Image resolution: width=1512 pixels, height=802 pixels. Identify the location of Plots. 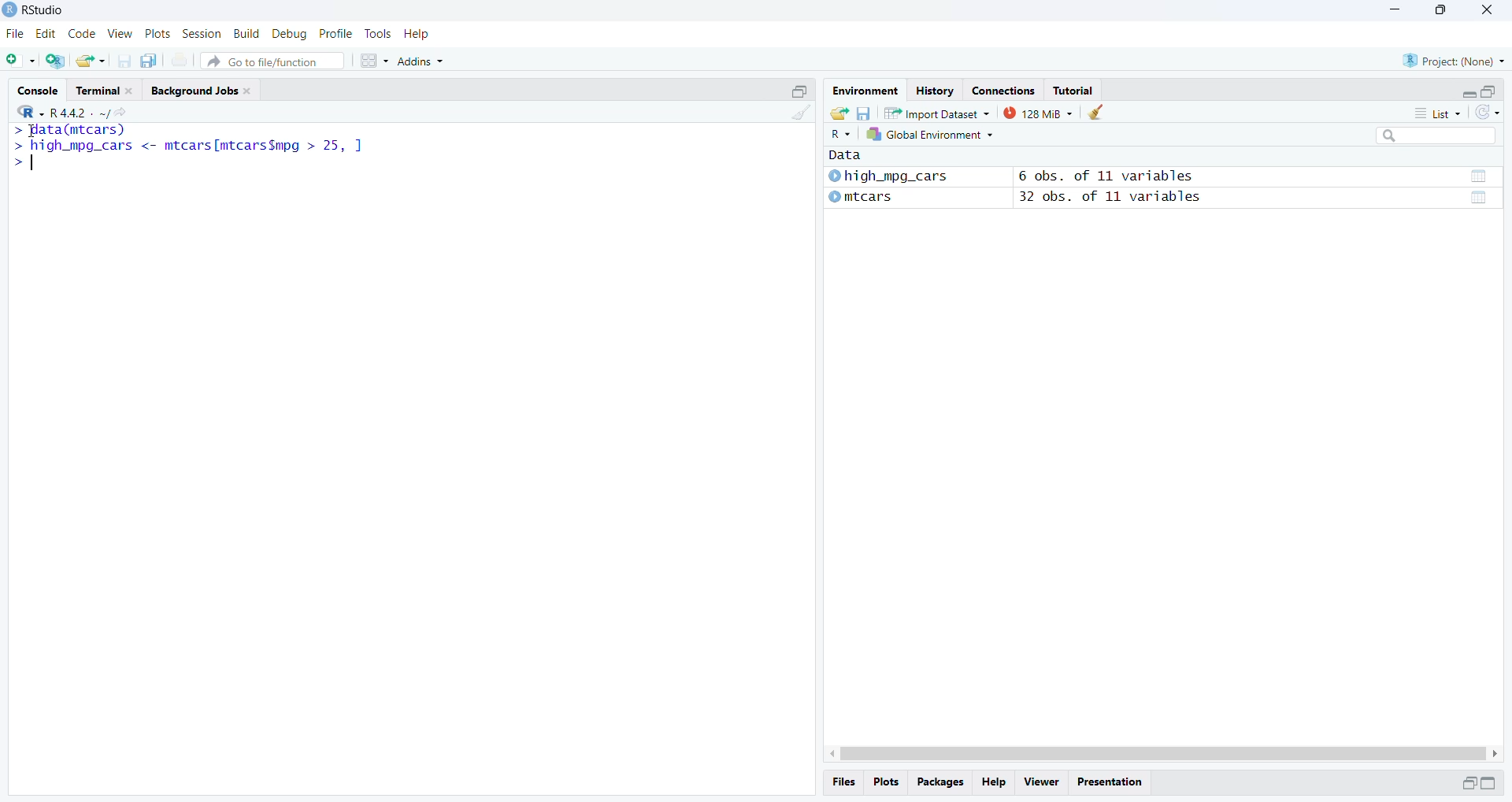
(884, 782).